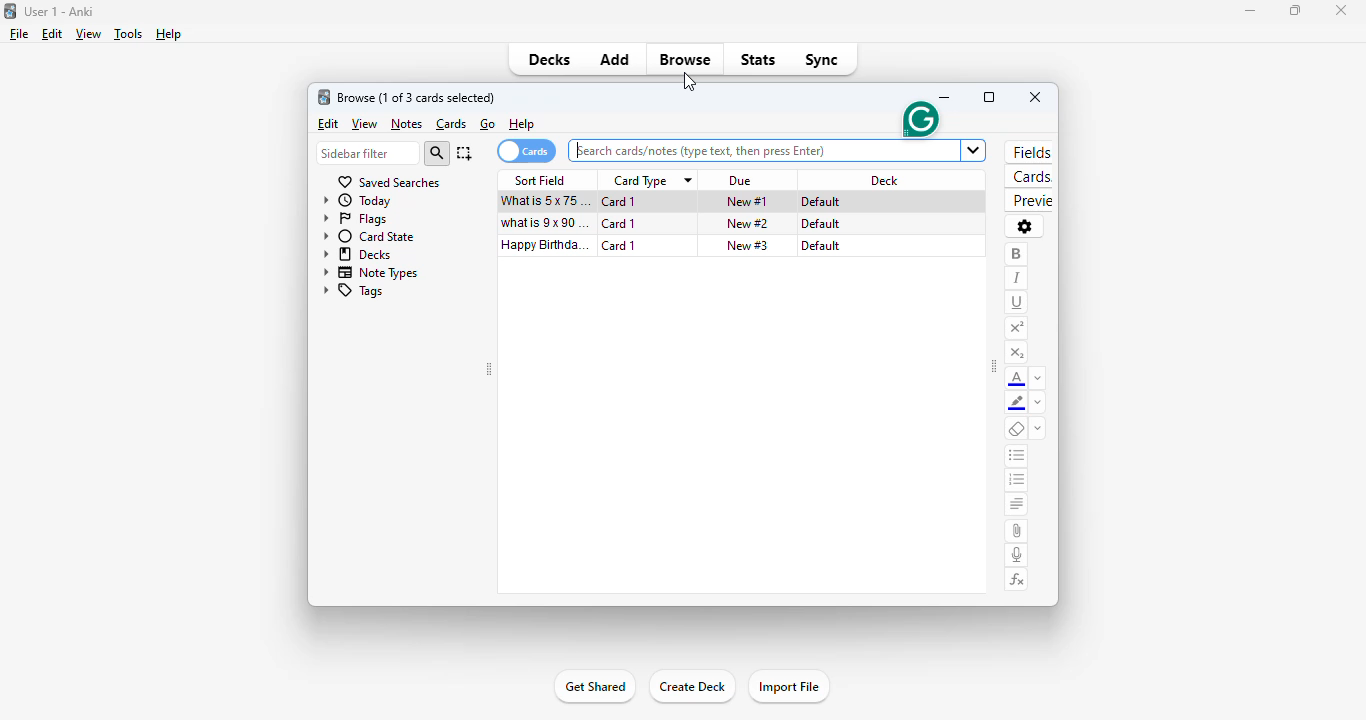 This screenshot has height=720, width=1366. Describe the element at coordinates (89, 34) in the screenshot. I see `view` at that location.